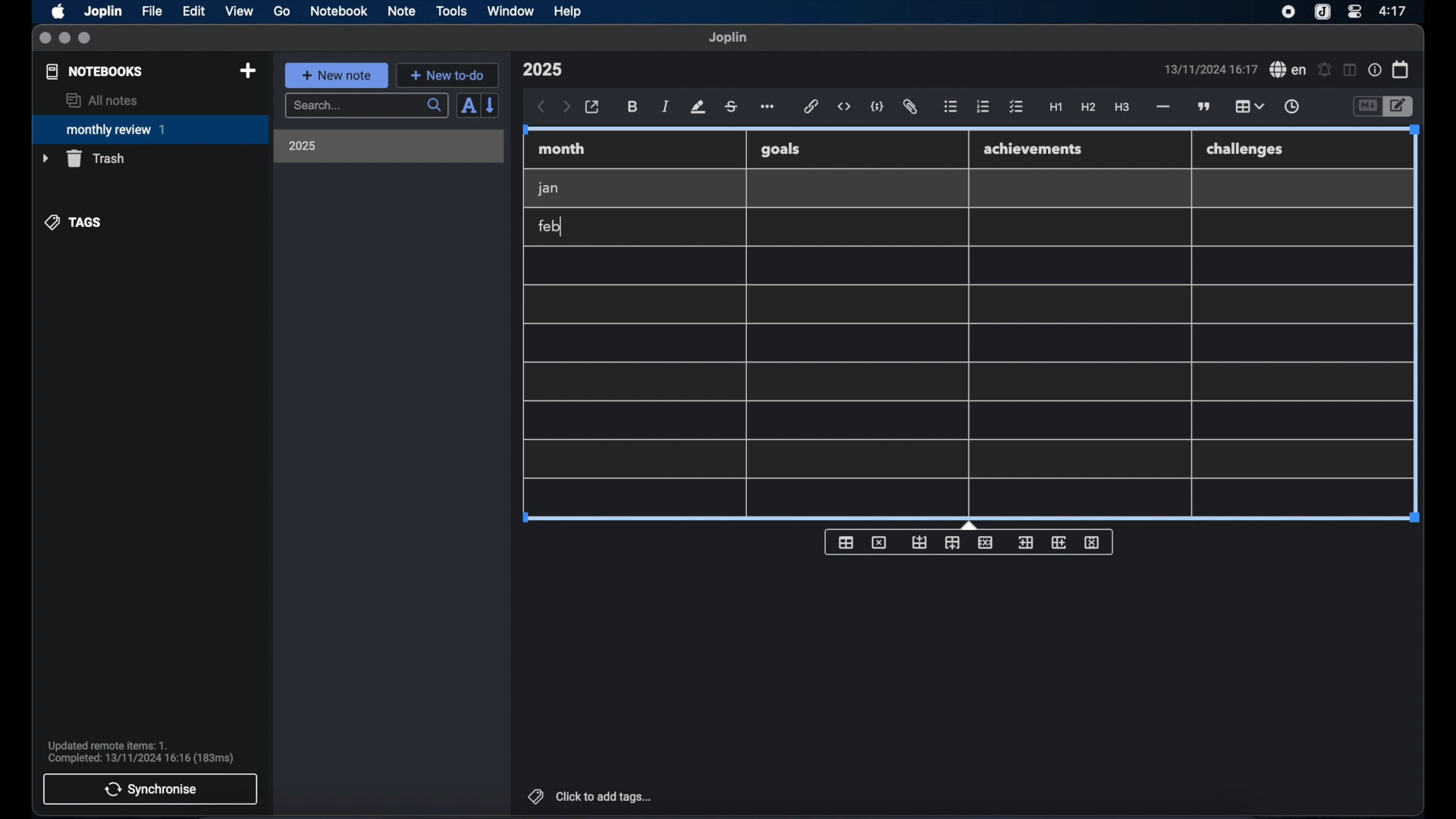 The height and width of the screenshot is (819, 1456). I want to click on insert table, so click(846, 542).